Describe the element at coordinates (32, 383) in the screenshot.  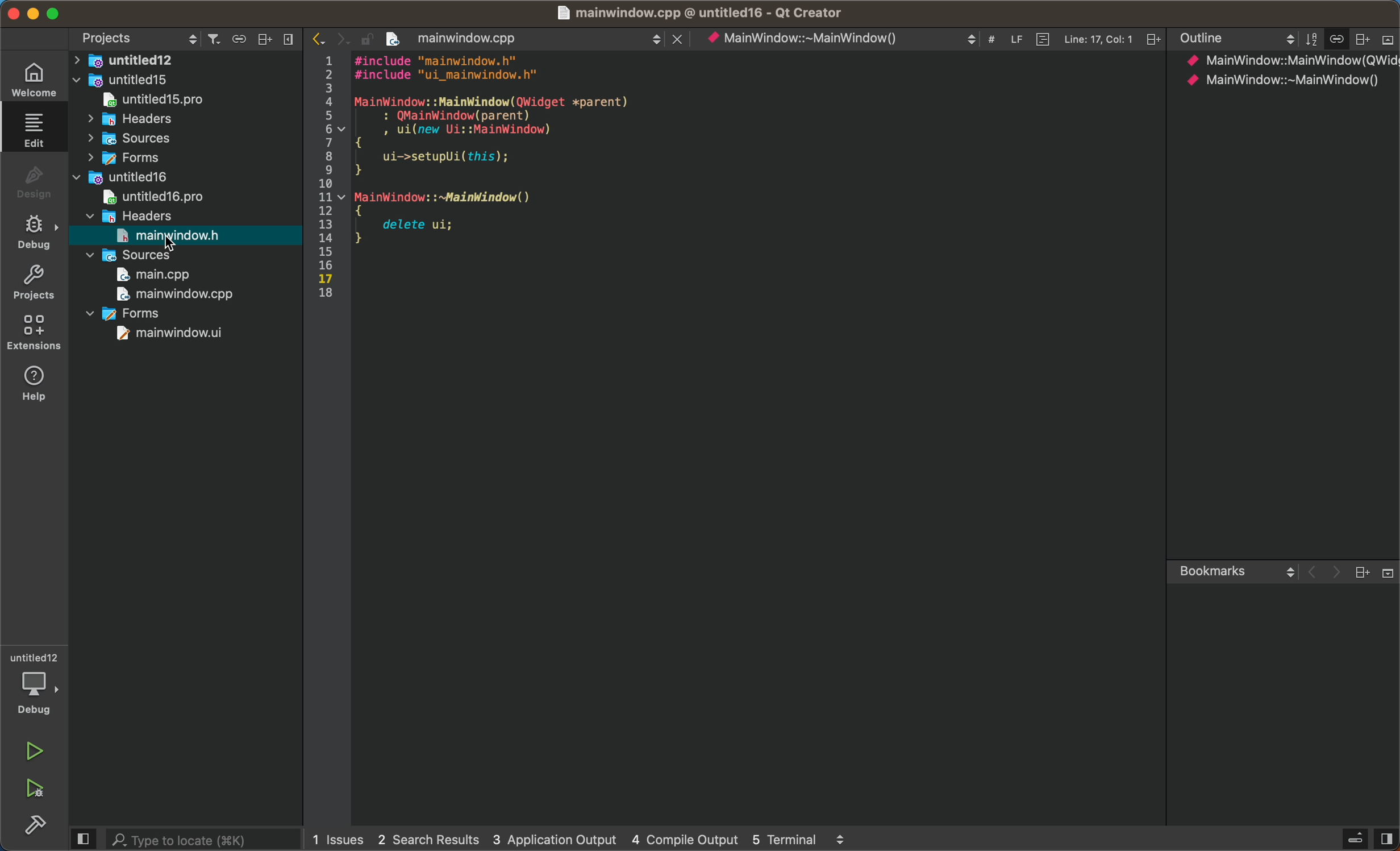
I see `help` at that location.